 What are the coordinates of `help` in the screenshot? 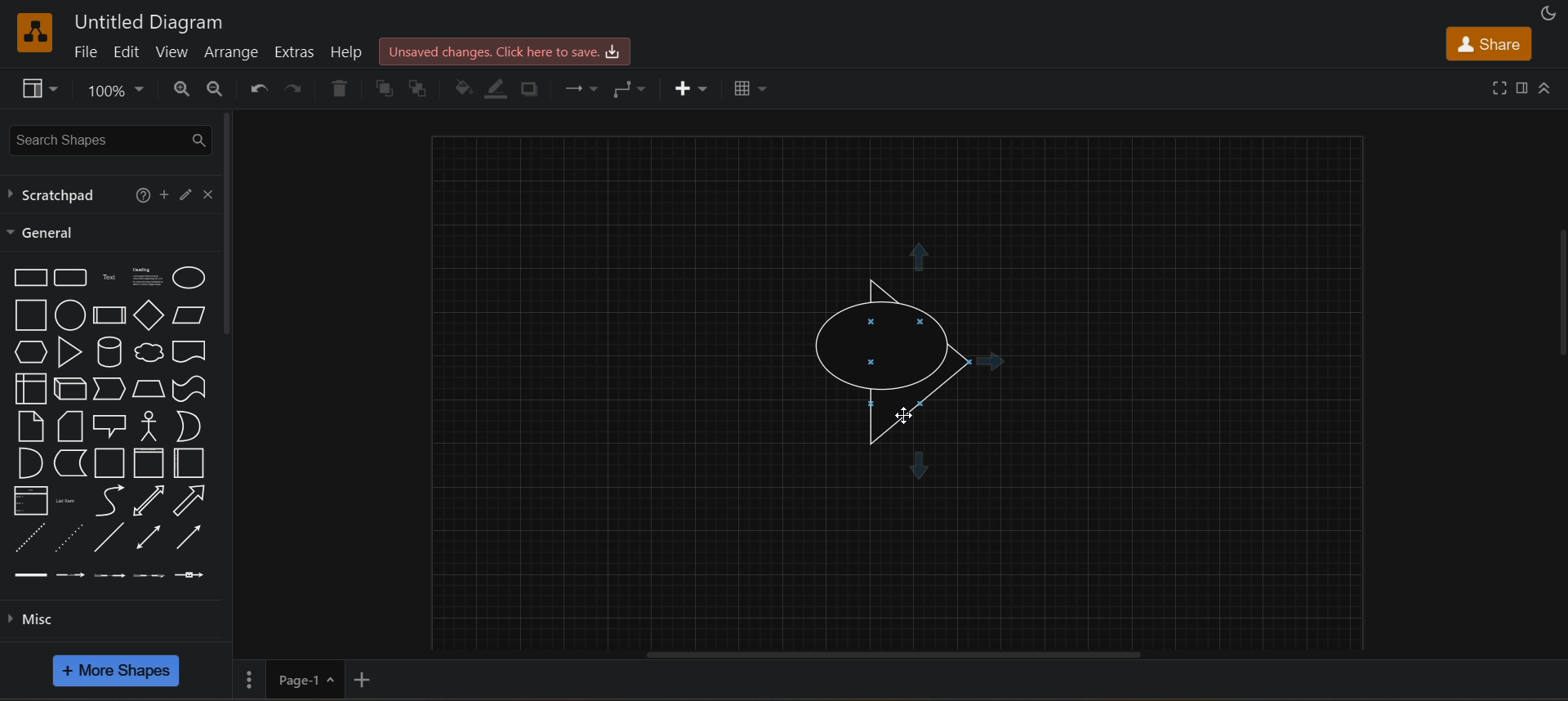 It's located at (143, 198).